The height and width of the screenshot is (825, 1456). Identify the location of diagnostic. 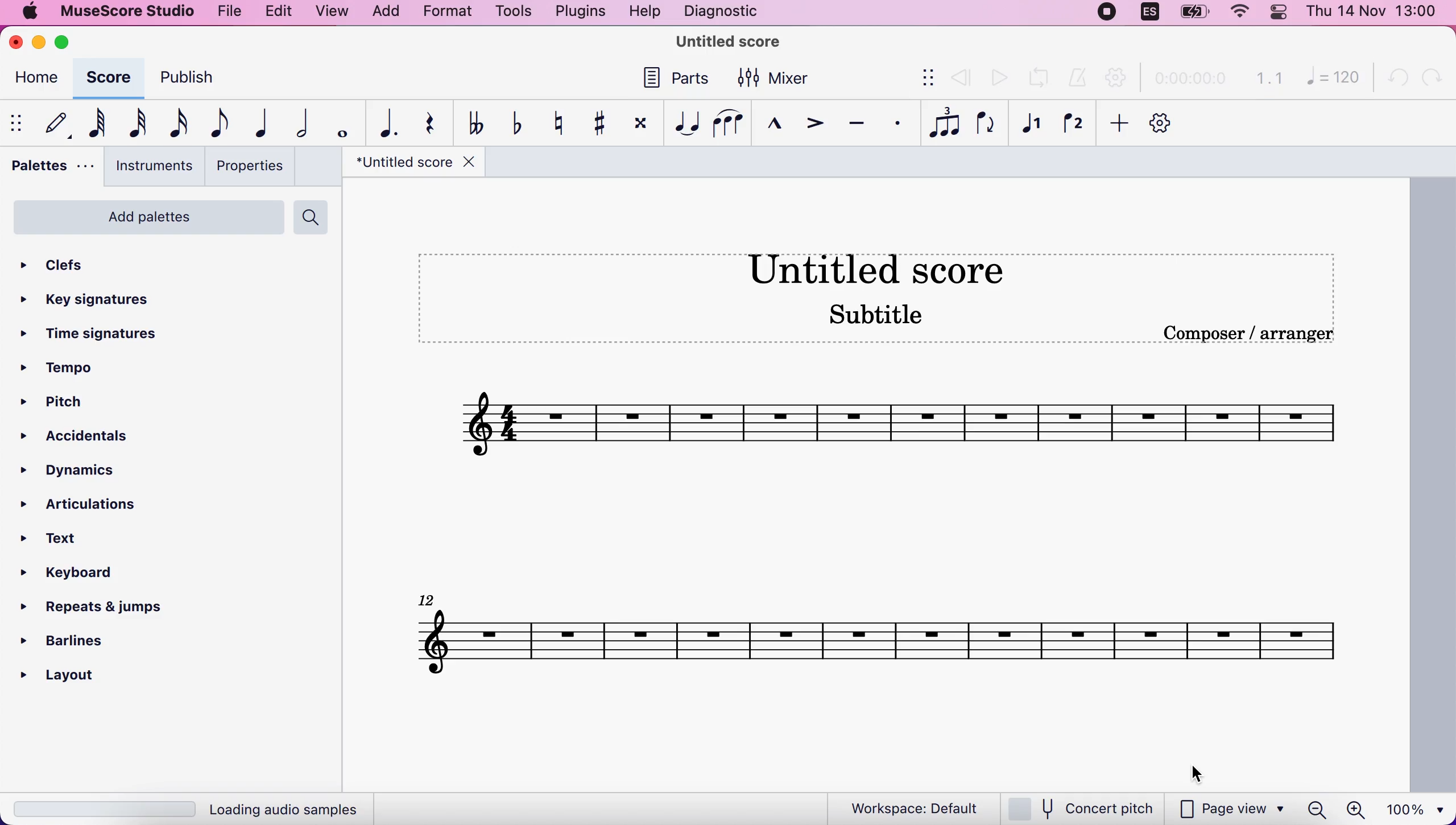
(721, 12).